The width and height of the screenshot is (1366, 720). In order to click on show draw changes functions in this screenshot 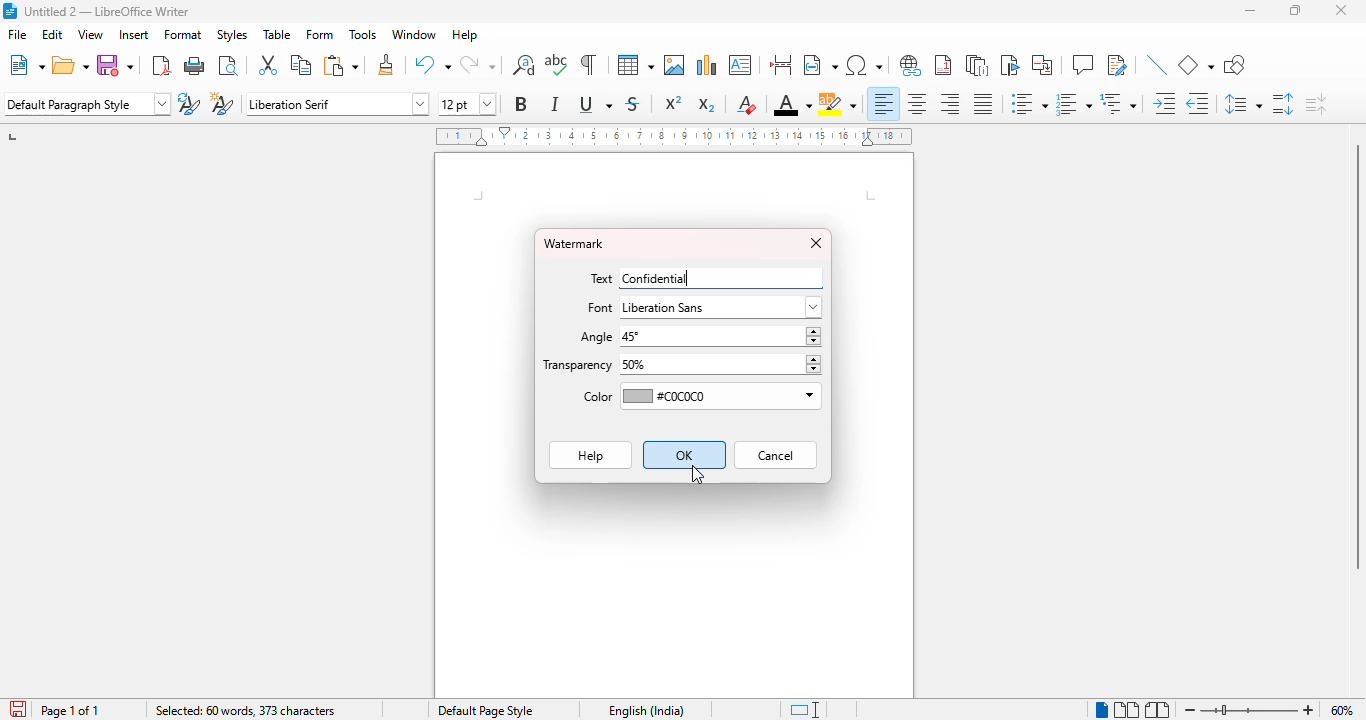, I will do `click(1116, 64)`.